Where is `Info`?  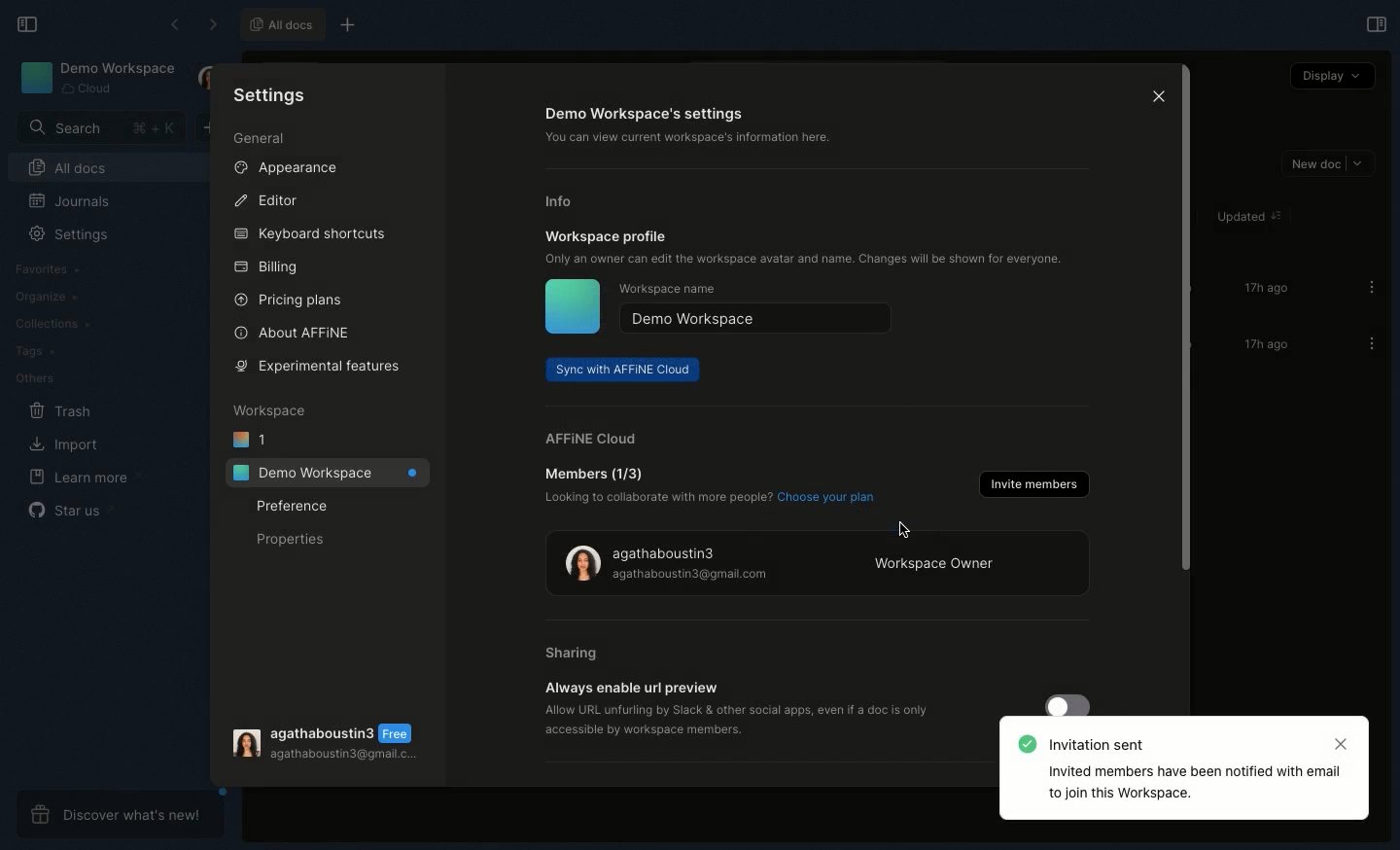
Info is located at coordinates (566, 201).